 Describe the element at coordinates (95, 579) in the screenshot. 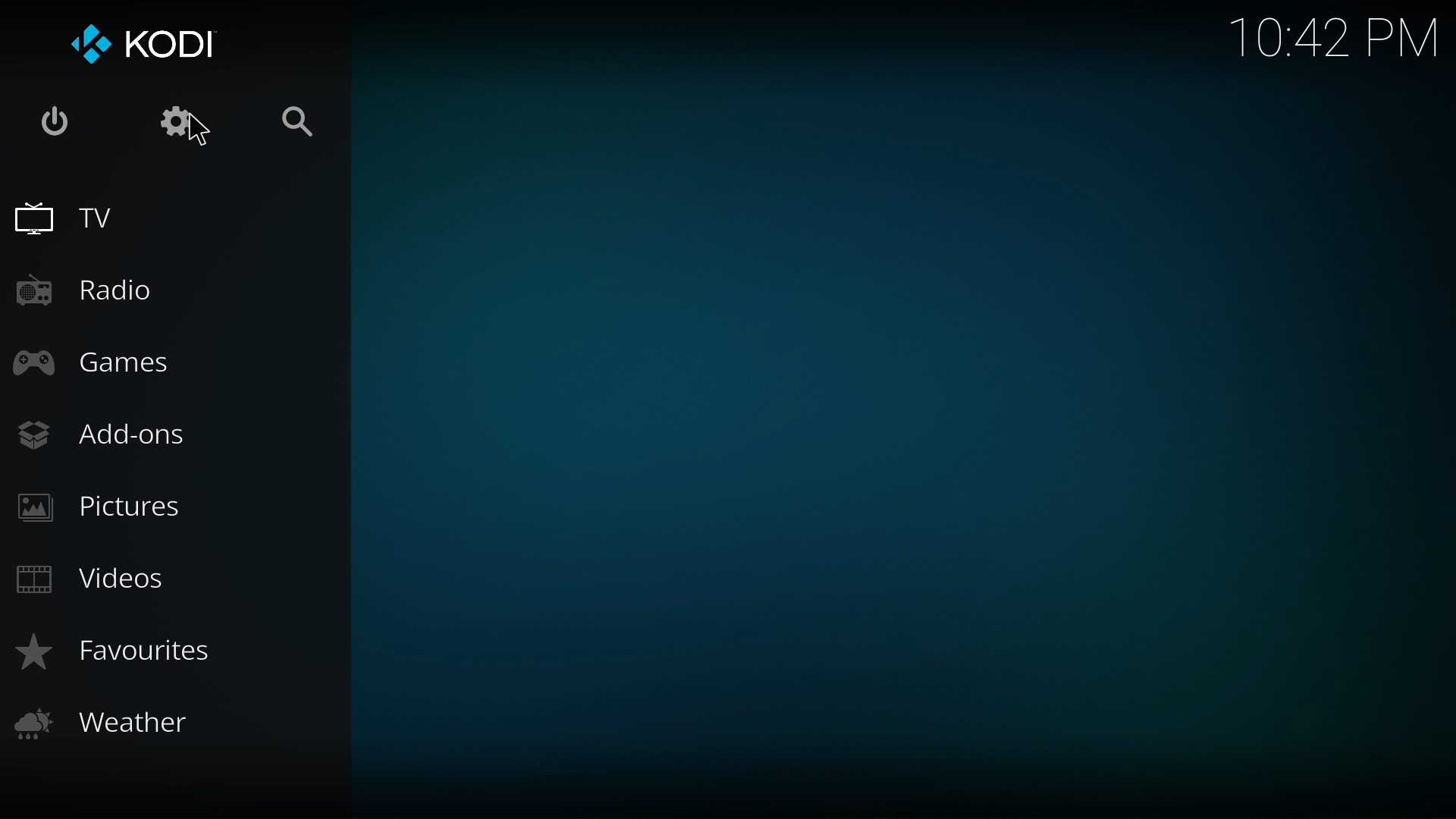

I see `videos` at that location.